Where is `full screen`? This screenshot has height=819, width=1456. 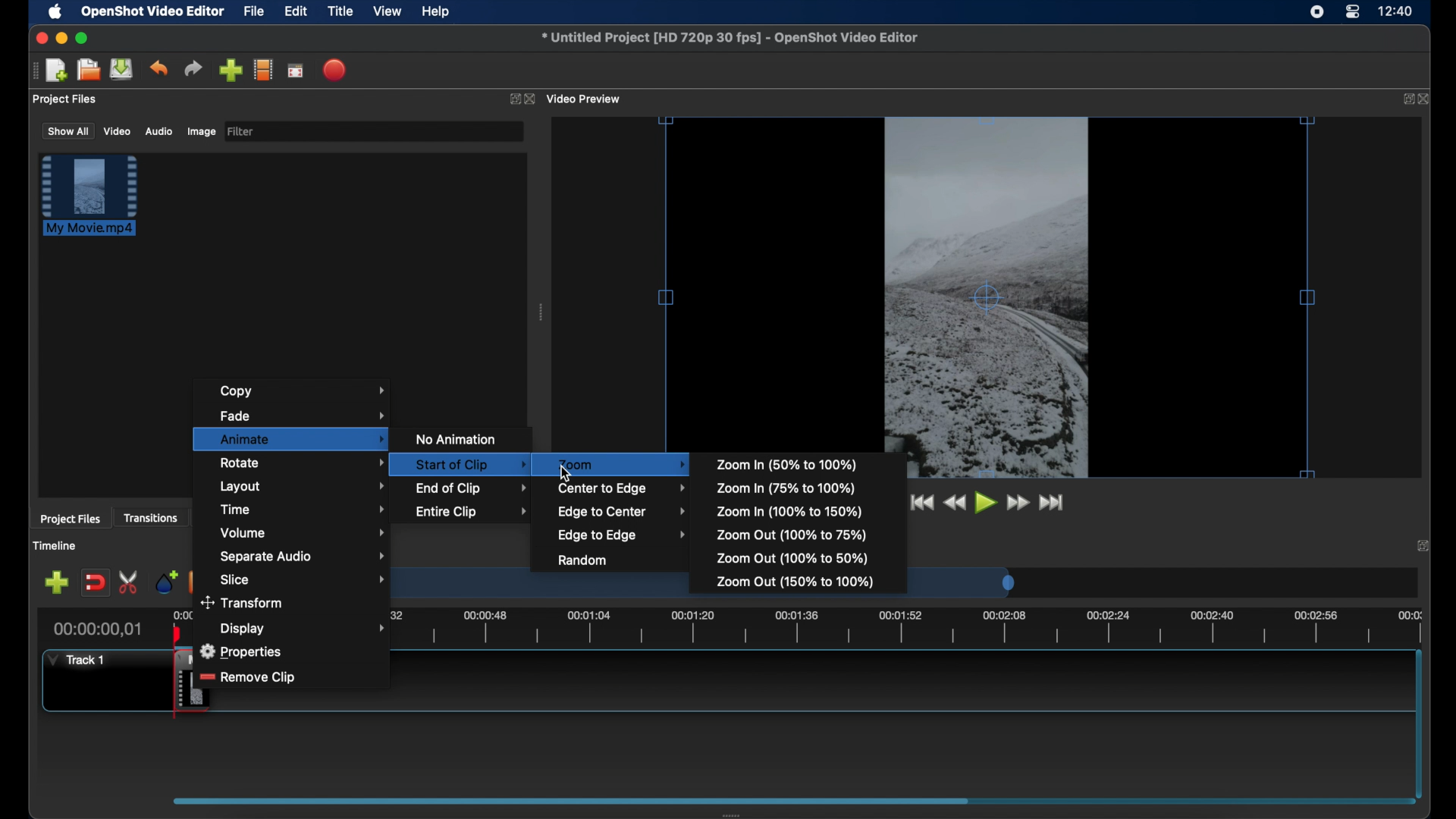 full screen is located at coordinates (295, 71).